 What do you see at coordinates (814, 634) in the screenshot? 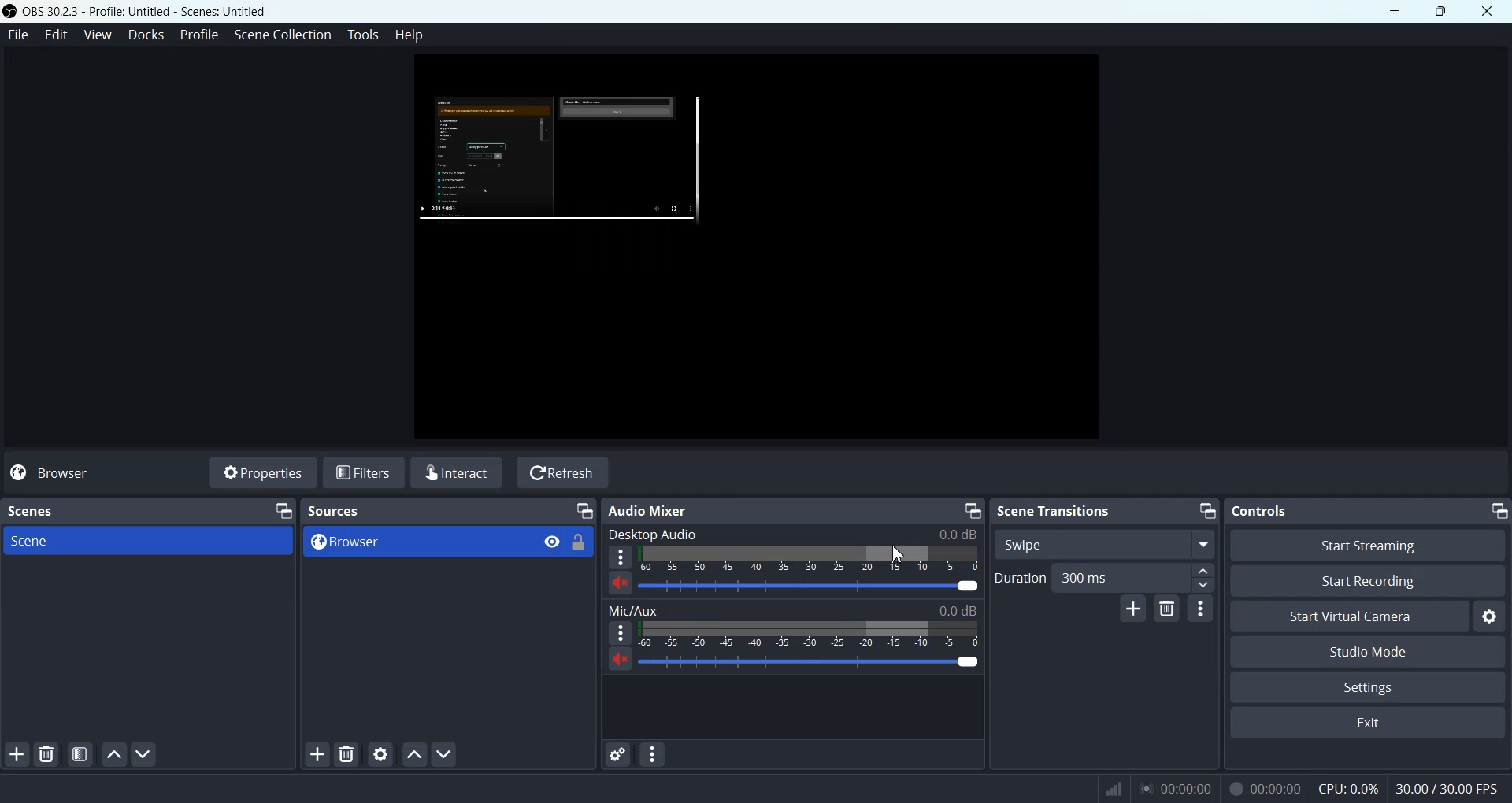
I see `Volume Indicator` at bounding box center [814, 634].